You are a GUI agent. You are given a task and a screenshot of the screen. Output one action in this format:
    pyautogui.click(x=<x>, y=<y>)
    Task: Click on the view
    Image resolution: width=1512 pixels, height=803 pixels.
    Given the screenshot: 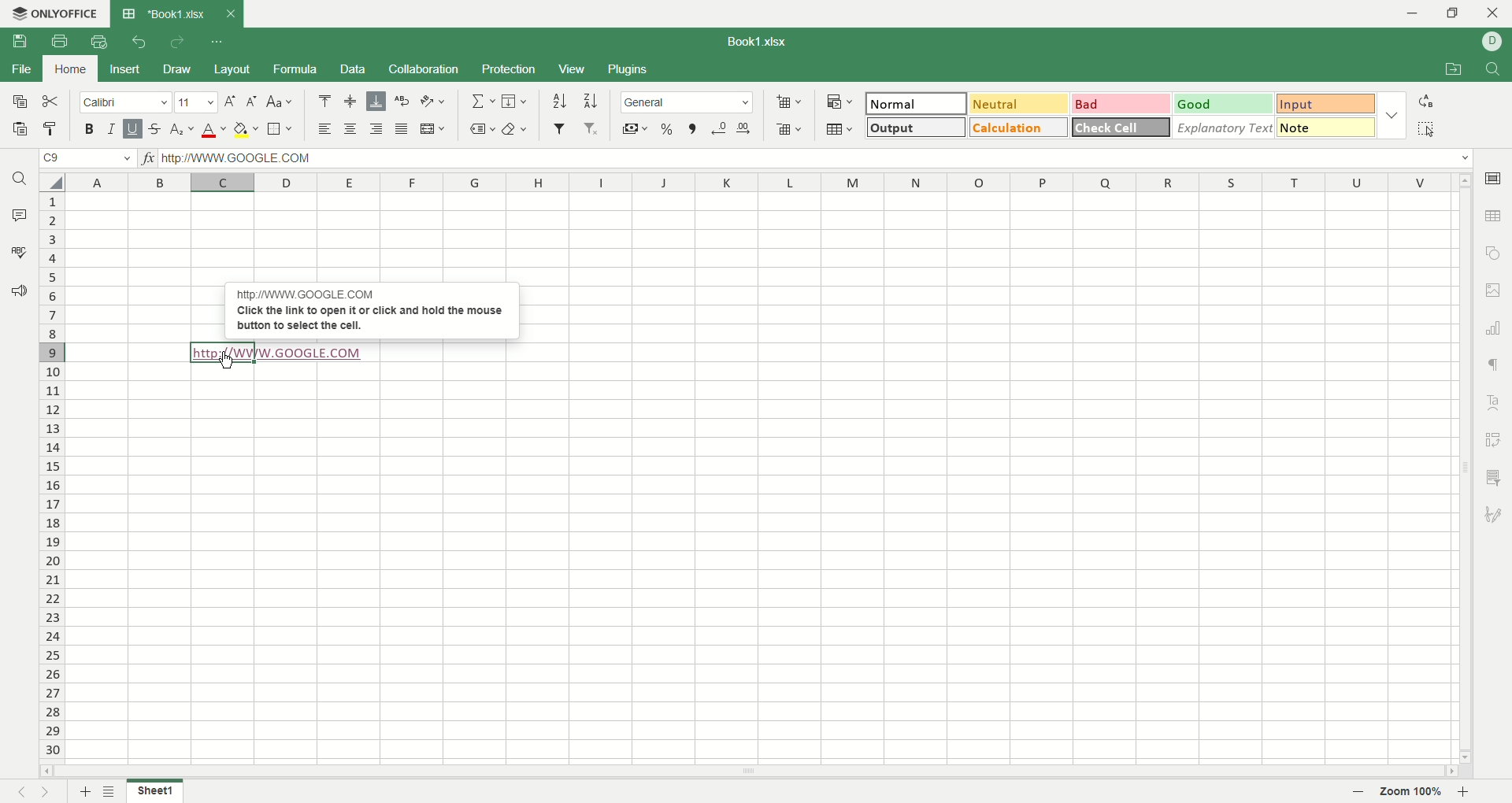 What is the action you would take?
    pyautogui.click(x=570, y=70)
    